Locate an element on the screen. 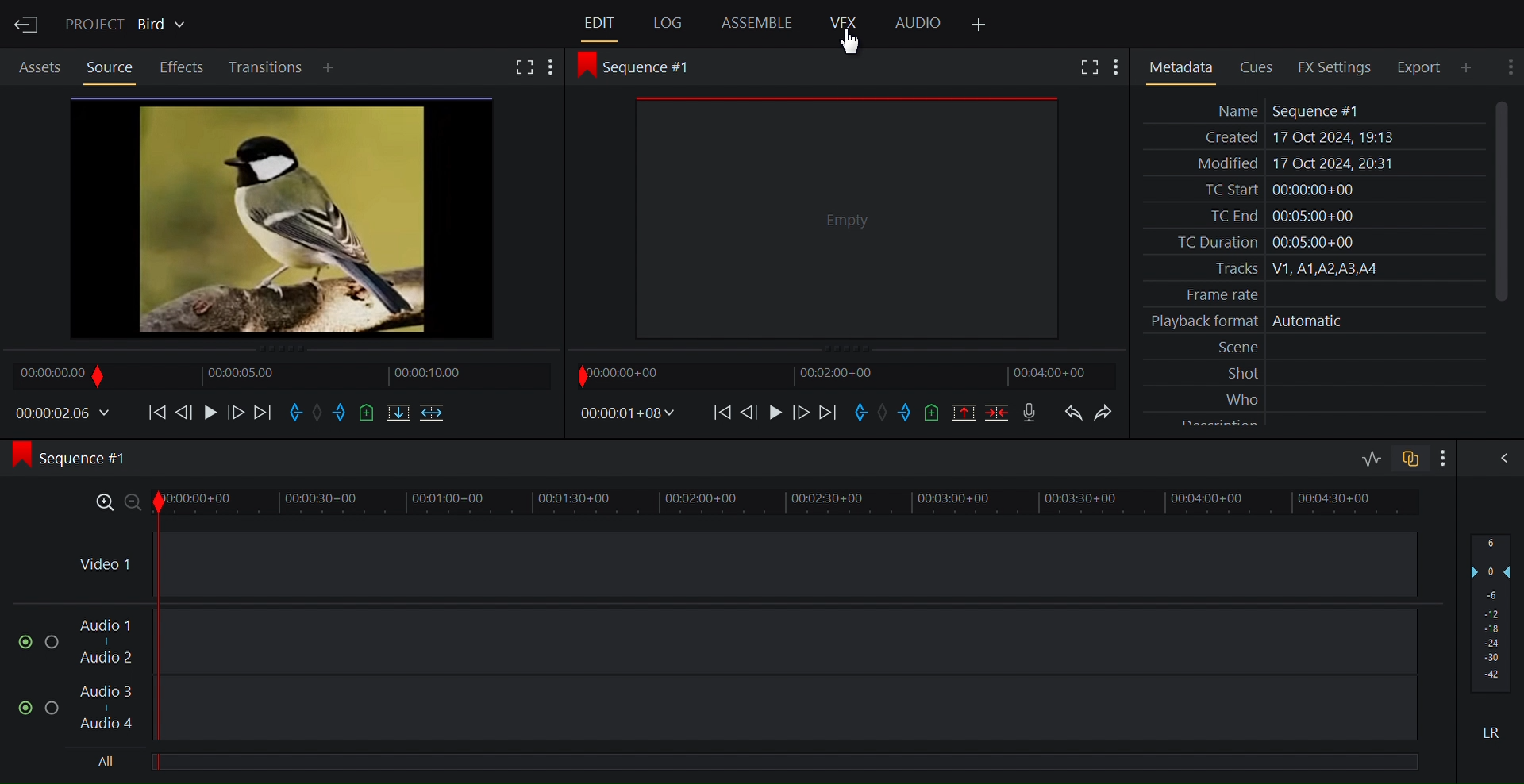 Image resolution: width=1524 pixels, height=784 pixels. Timeline is located at coordinates (841, 372).